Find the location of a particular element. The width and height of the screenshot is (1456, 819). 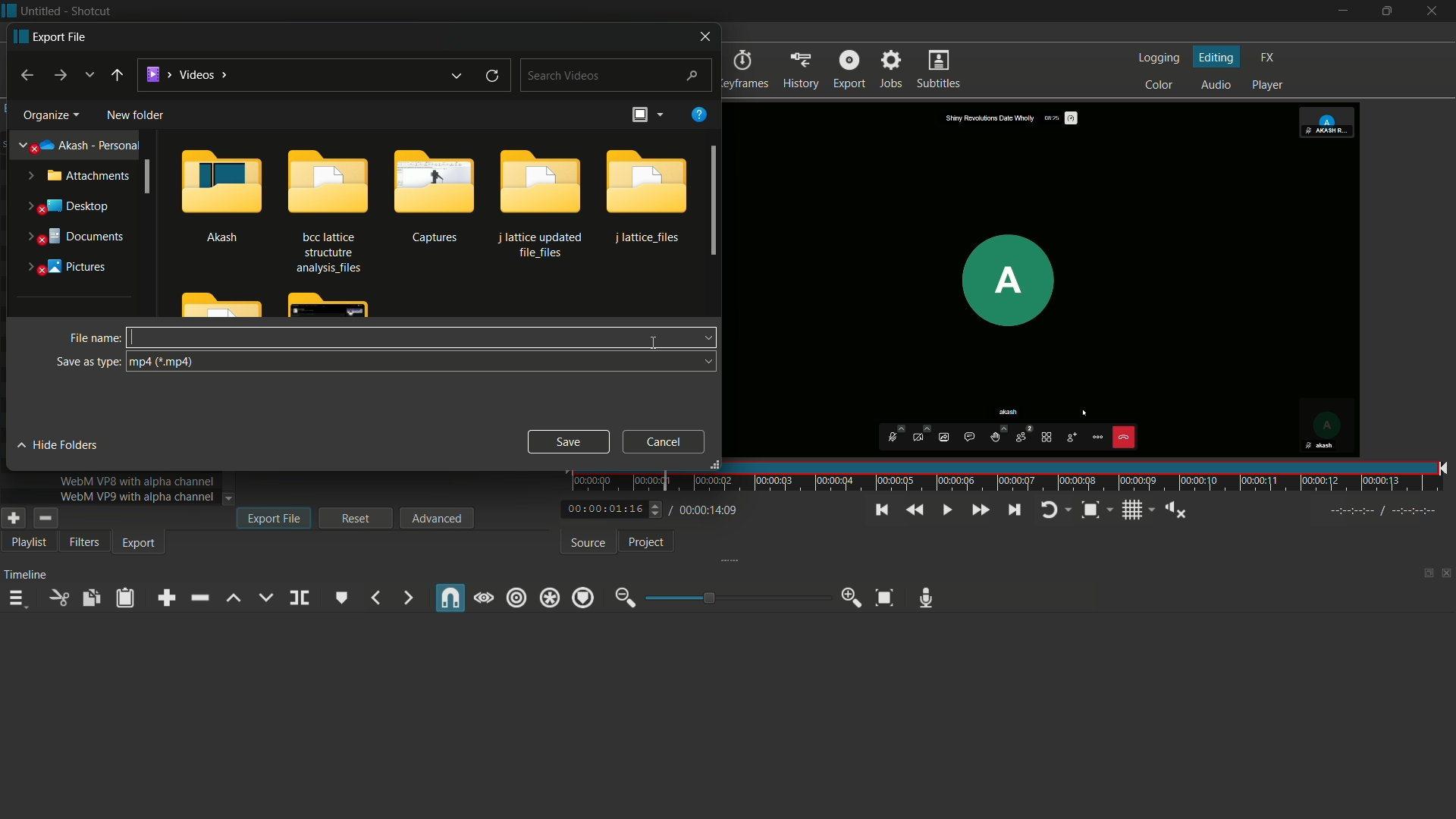

Export is located at coordinates (849, 68).